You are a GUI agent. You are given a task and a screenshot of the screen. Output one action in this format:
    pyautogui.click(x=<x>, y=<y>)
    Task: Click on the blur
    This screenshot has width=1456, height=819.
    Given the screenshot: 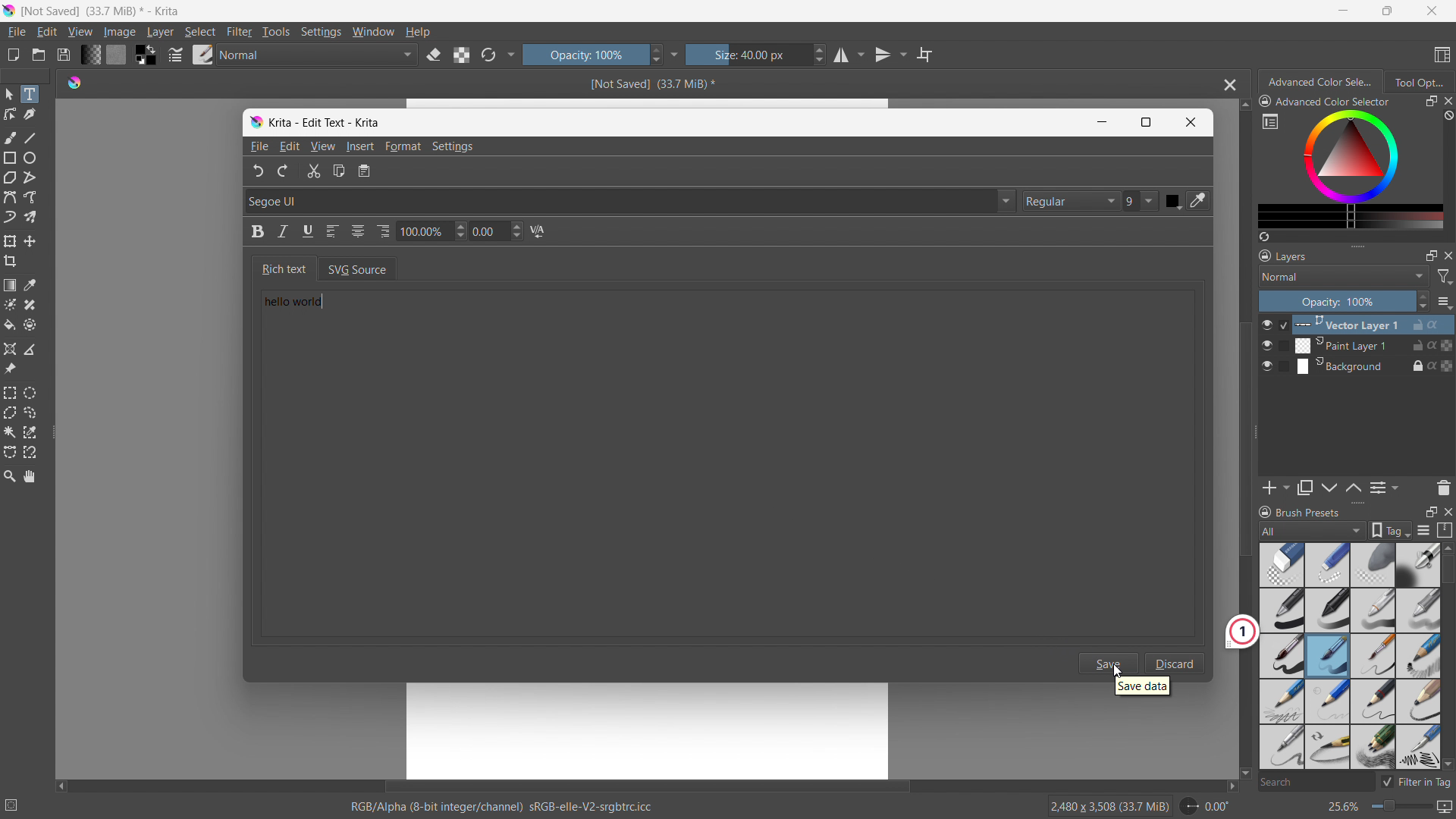 What is the action you would take?
    pyautogui.click(x=1372, y=565)
    